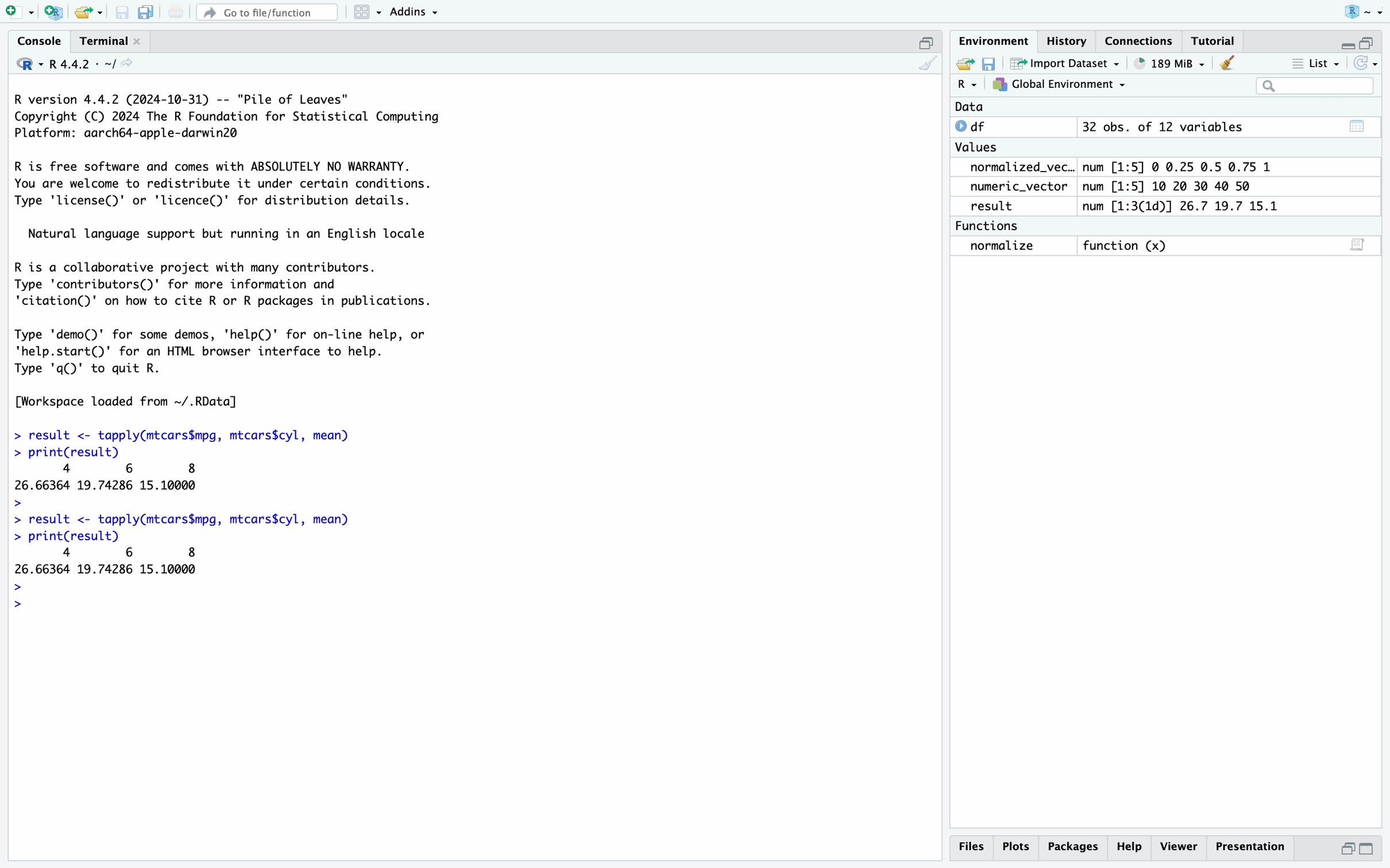 The height and width of the screenshot is (868, 1390). Describe the element at coordinates (88, 12) in the screenshot. I see `Open existing file` at that location.